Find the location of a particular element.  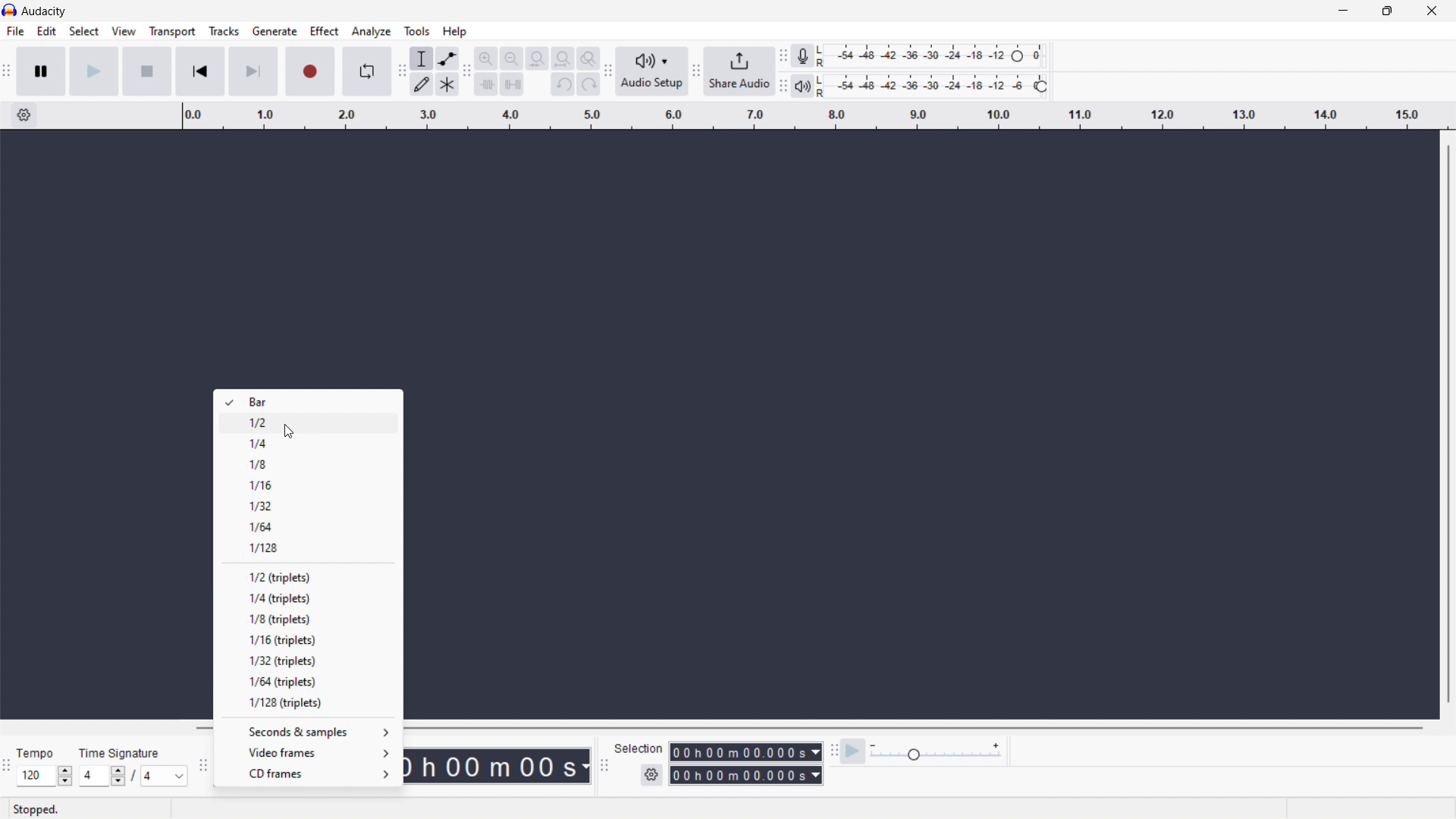

Tempo is located at coordinates (39, 755).